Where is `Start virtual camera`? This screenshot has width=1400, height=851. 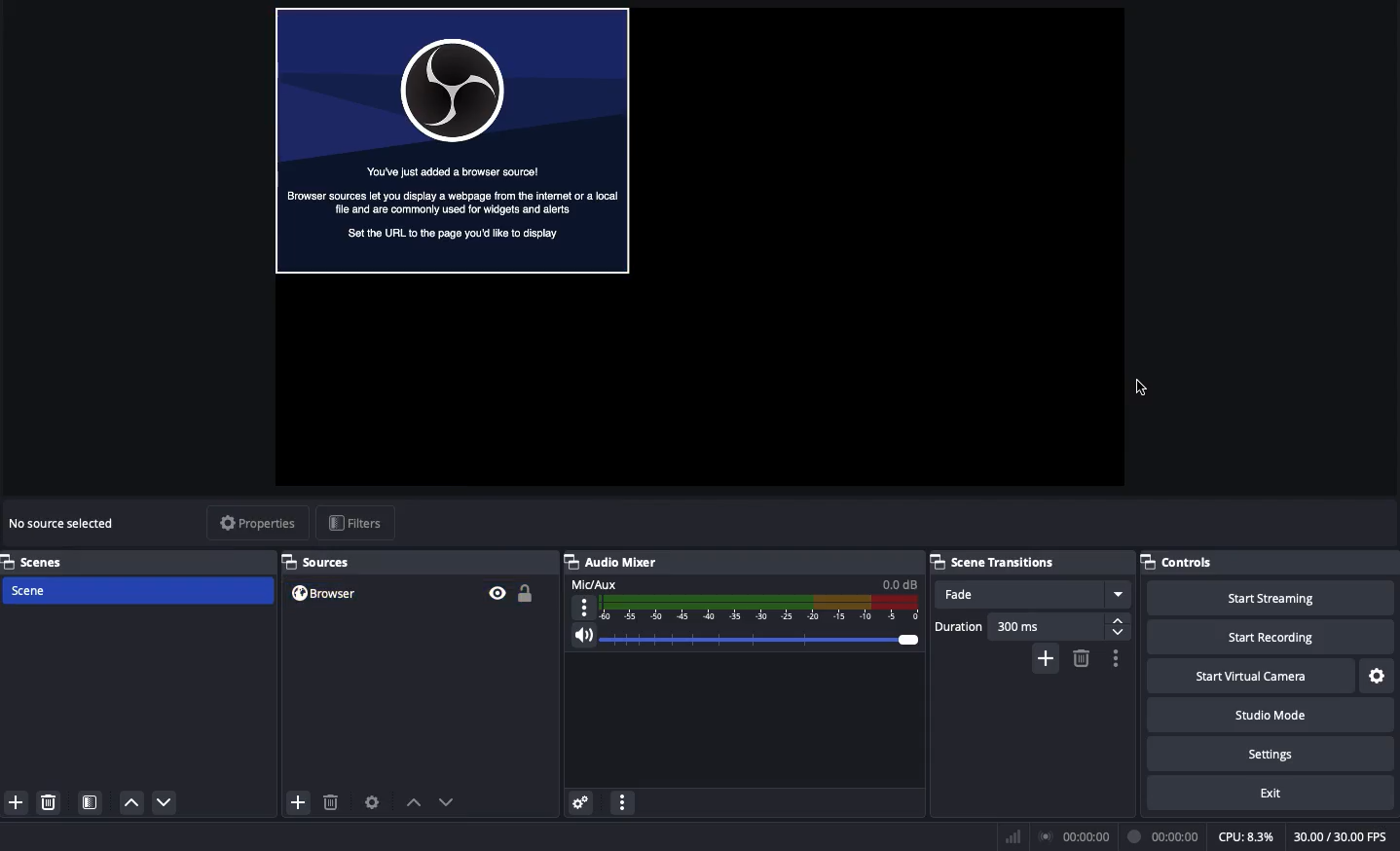 Start virtual camera is located at coordinates (1254, 674).